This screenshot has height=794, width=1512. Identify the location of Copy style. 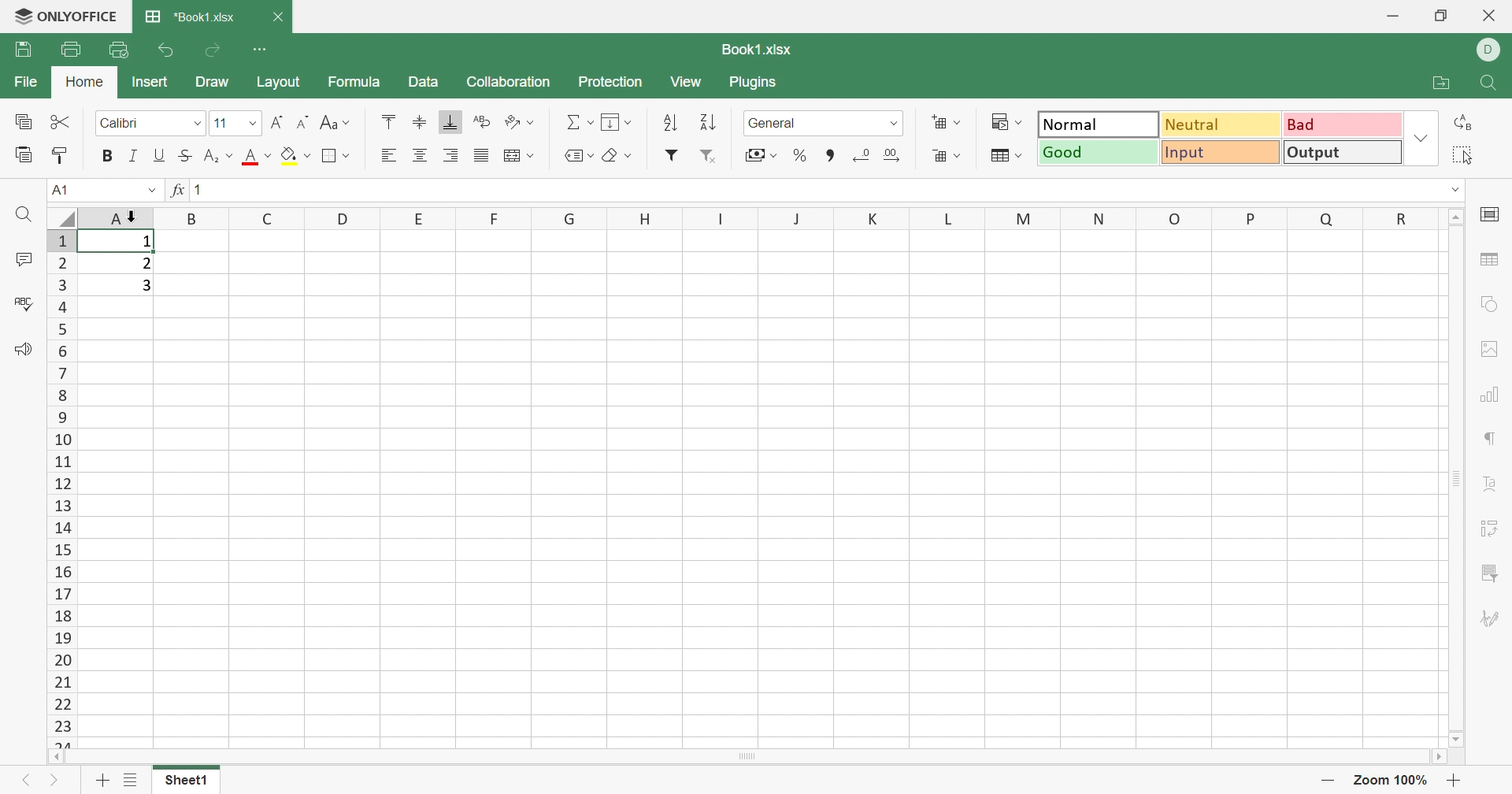
(60, 155).